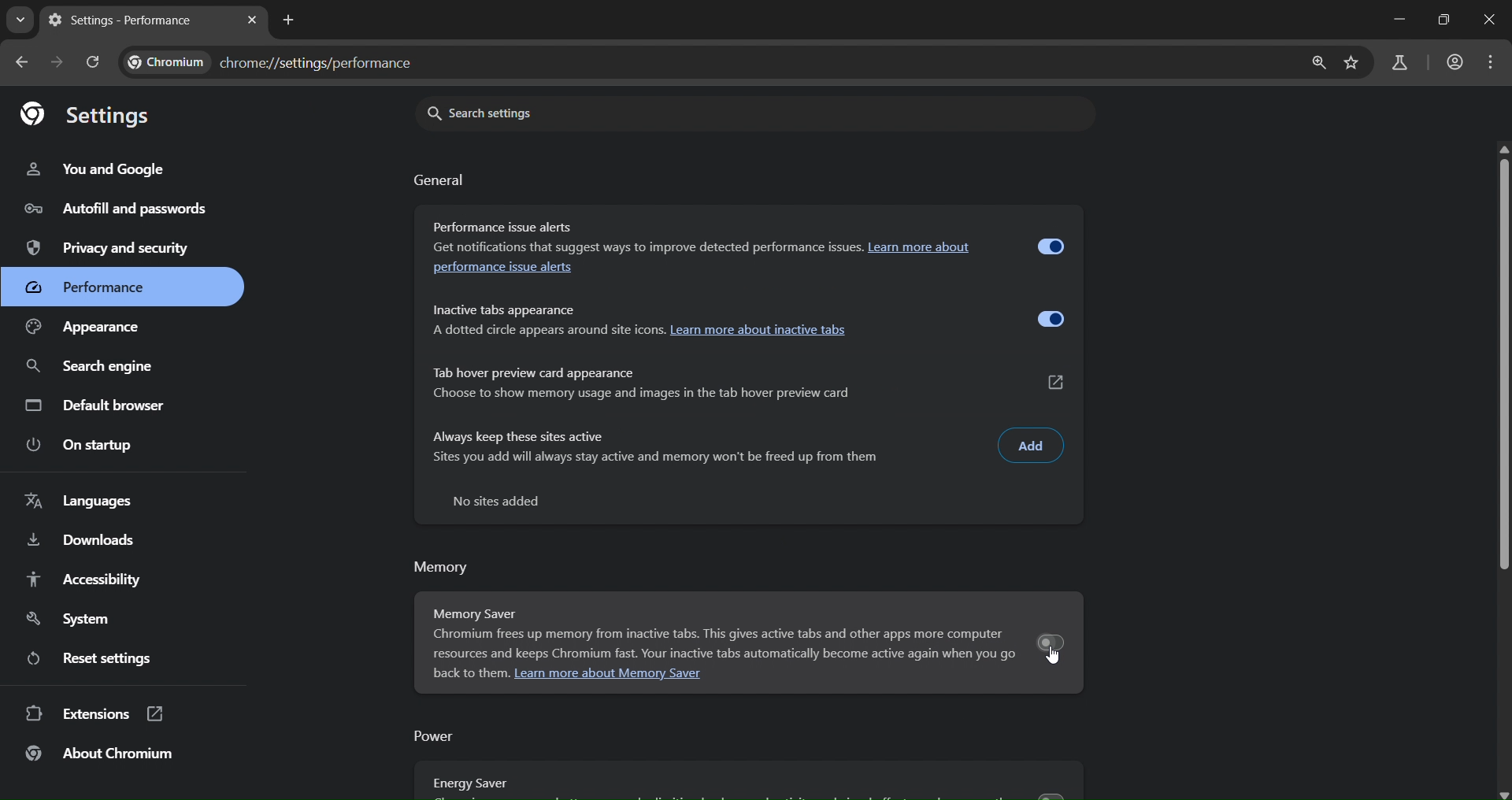 The width and height of the screenshot is (1512, 800). What do you see at coordinates (921, 247) in the screenshot?
I see `Learn more about` at bounding box center [921, 247].